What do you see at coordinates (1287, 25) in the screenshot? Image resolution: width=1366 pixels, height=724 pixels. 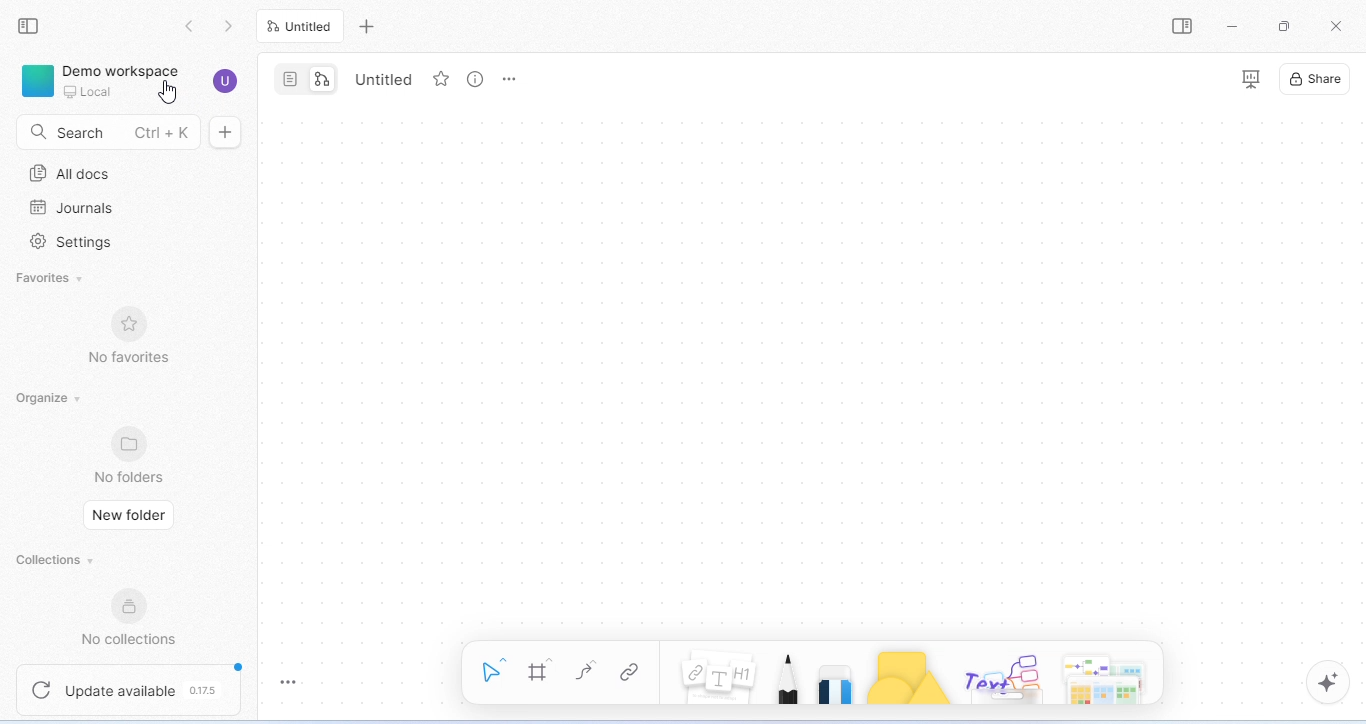 I see `maximize` at bounding box center [1287, 25].